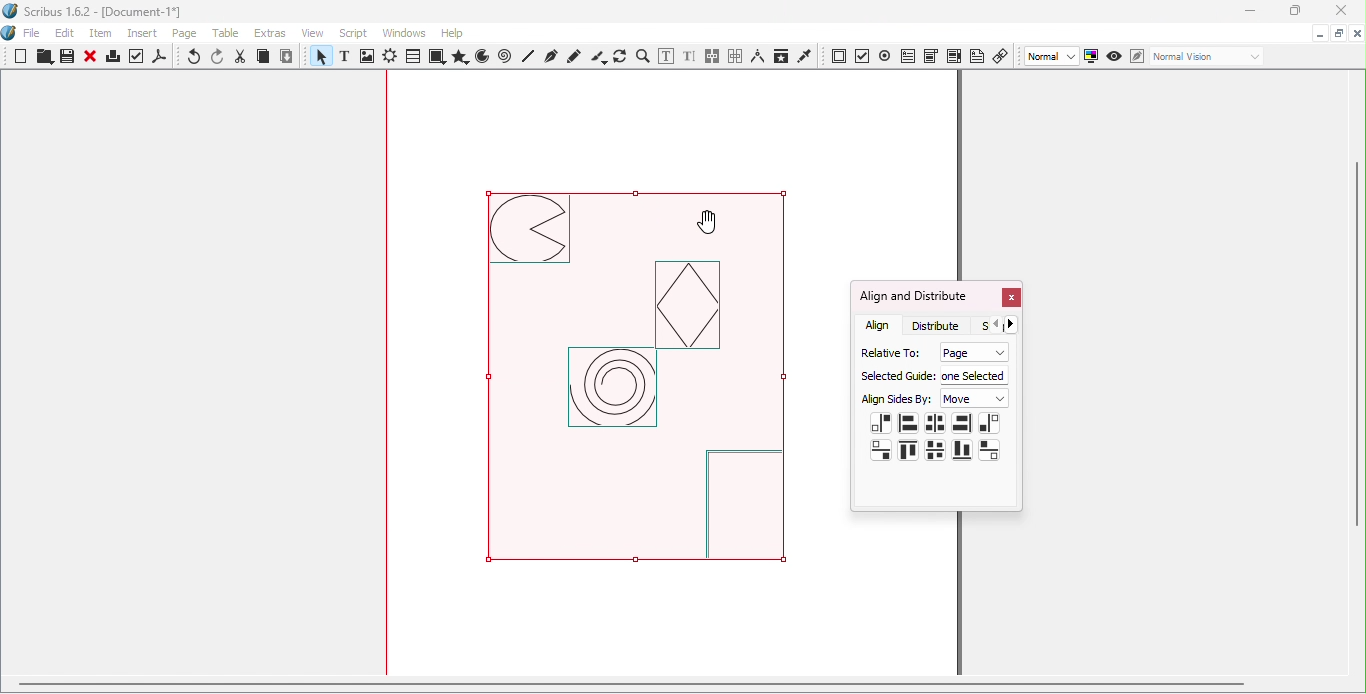 This screenshot has height=694, width=1366. What do you see at coordinates (913, 296) in the screenshot?
I see `Align and Distribute` at bounding box center [913, 296].